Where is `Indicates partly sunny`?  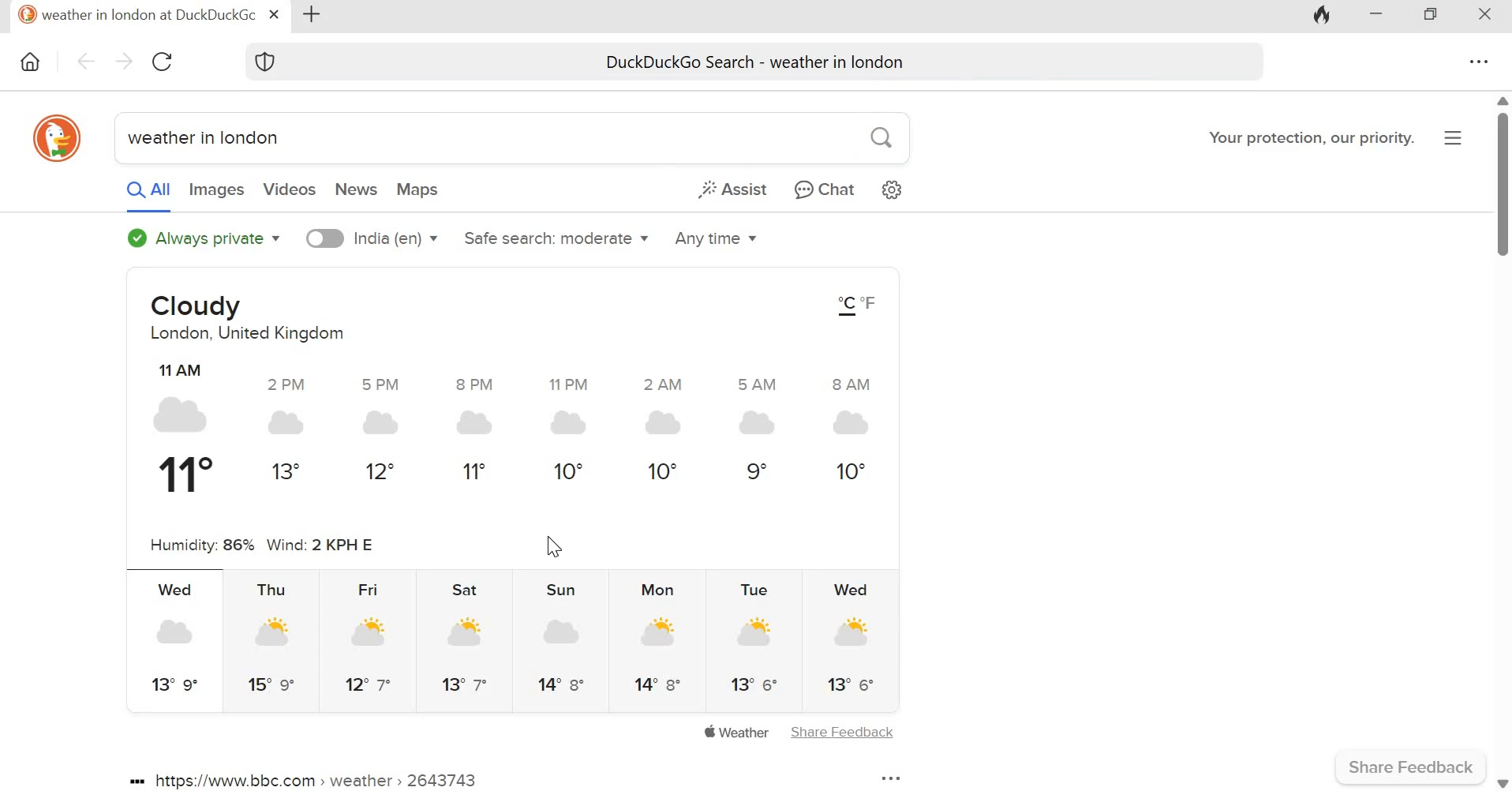 Indicates partly sunny is located at coordinates (754, 632).